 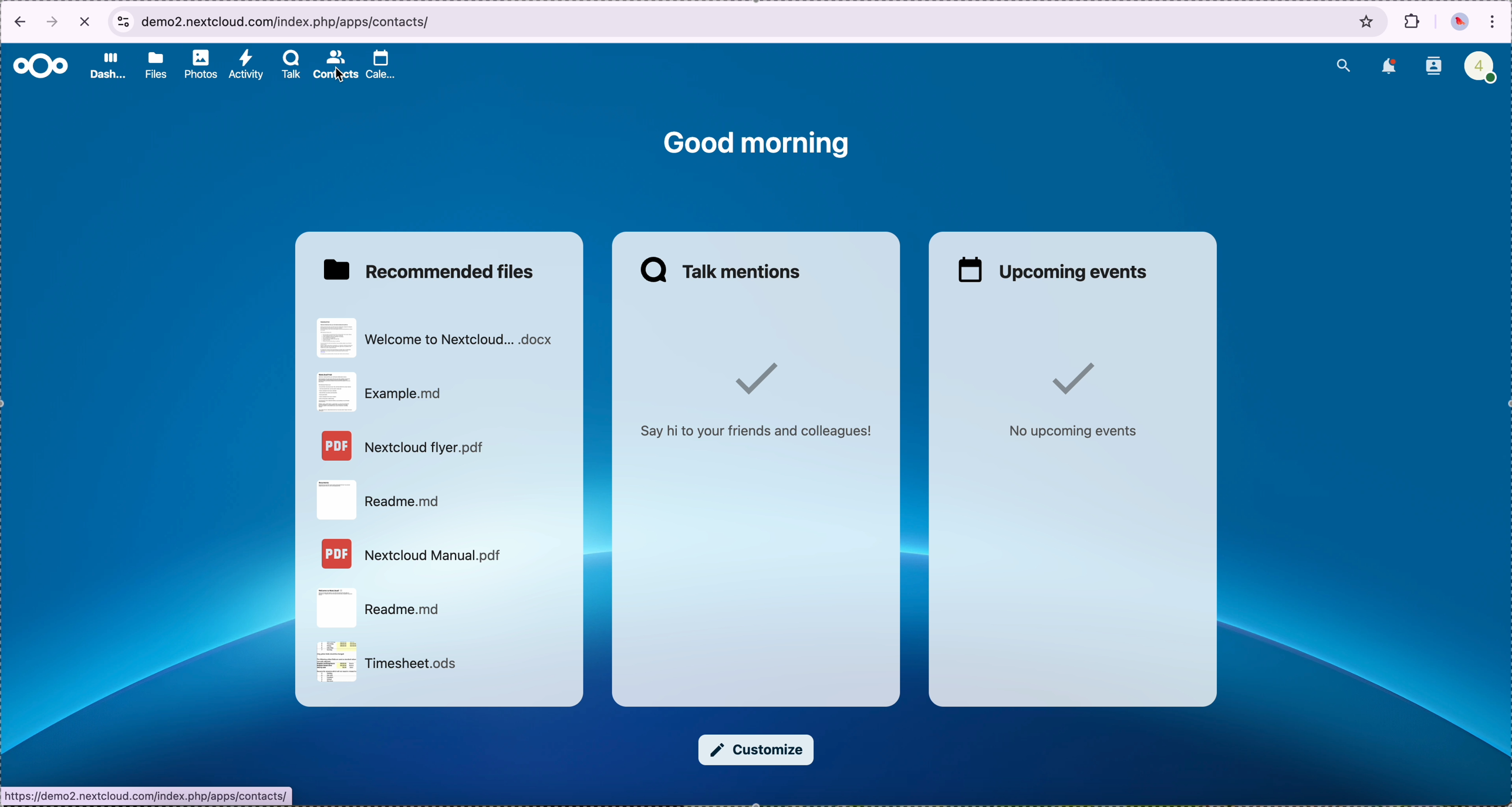 I want to click on profile picture, so click(x=1459, y=22).